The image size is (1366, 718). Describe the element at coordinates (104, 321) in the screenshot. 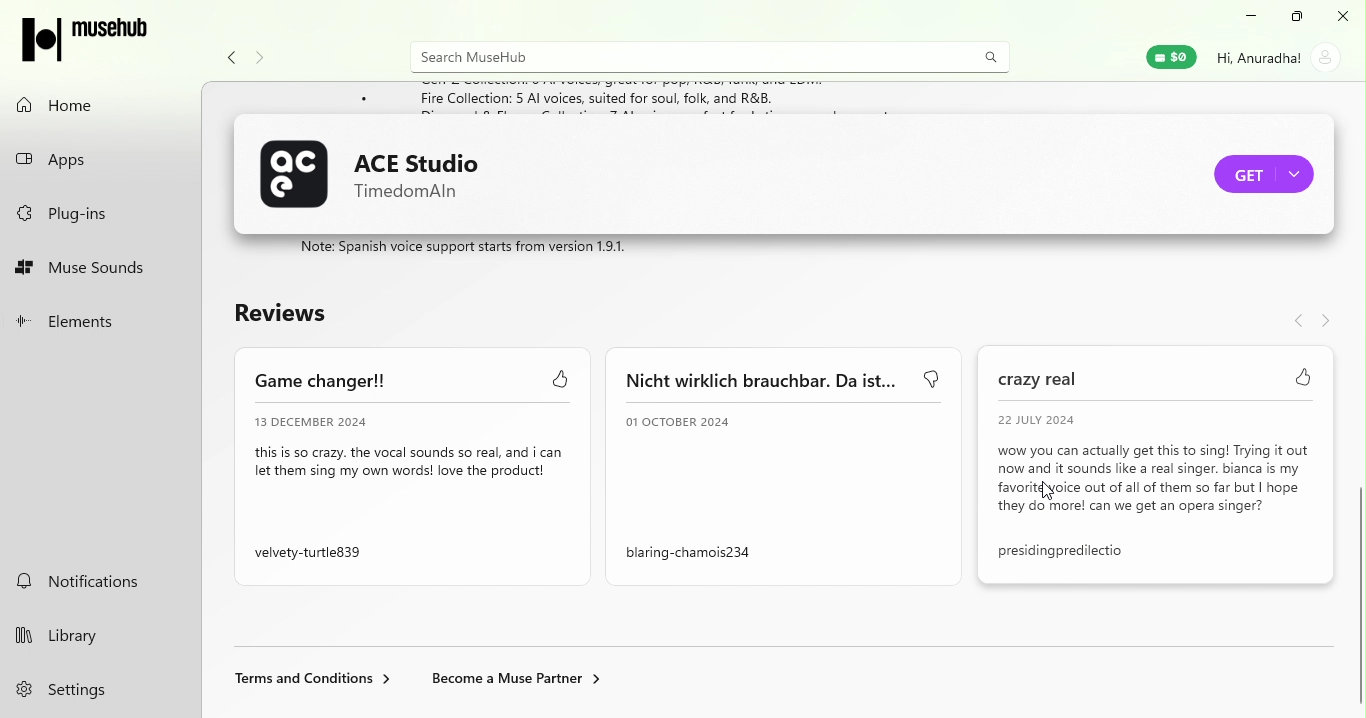

I see `elements` at that location.